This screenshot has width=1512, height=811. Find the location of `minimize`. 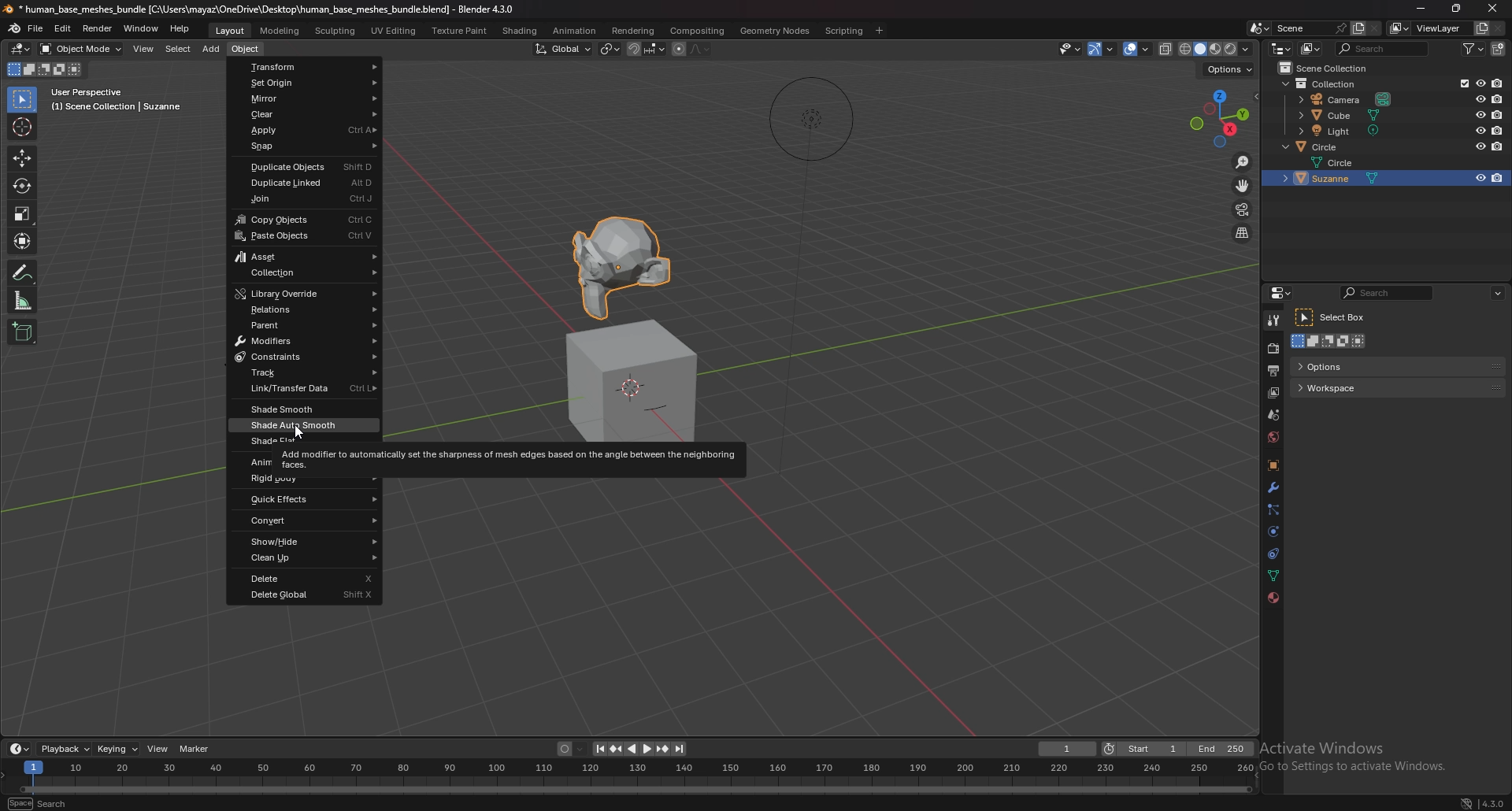

minimize is located at coordinates (1417, 8).